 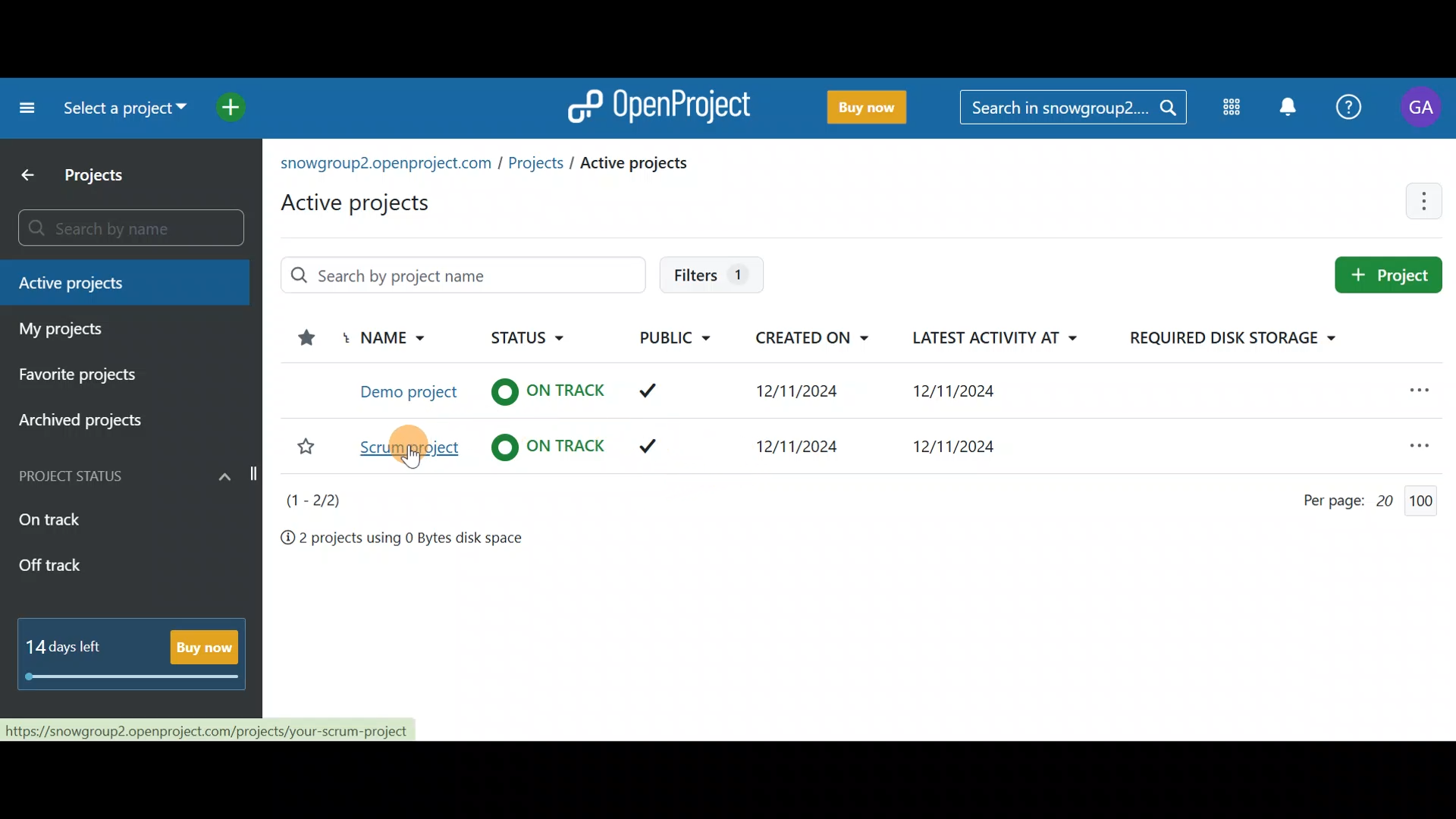 What do you see at coordinates (86, 176) in the screenshot?
I see `Projects` at bounding box center [86, 176].